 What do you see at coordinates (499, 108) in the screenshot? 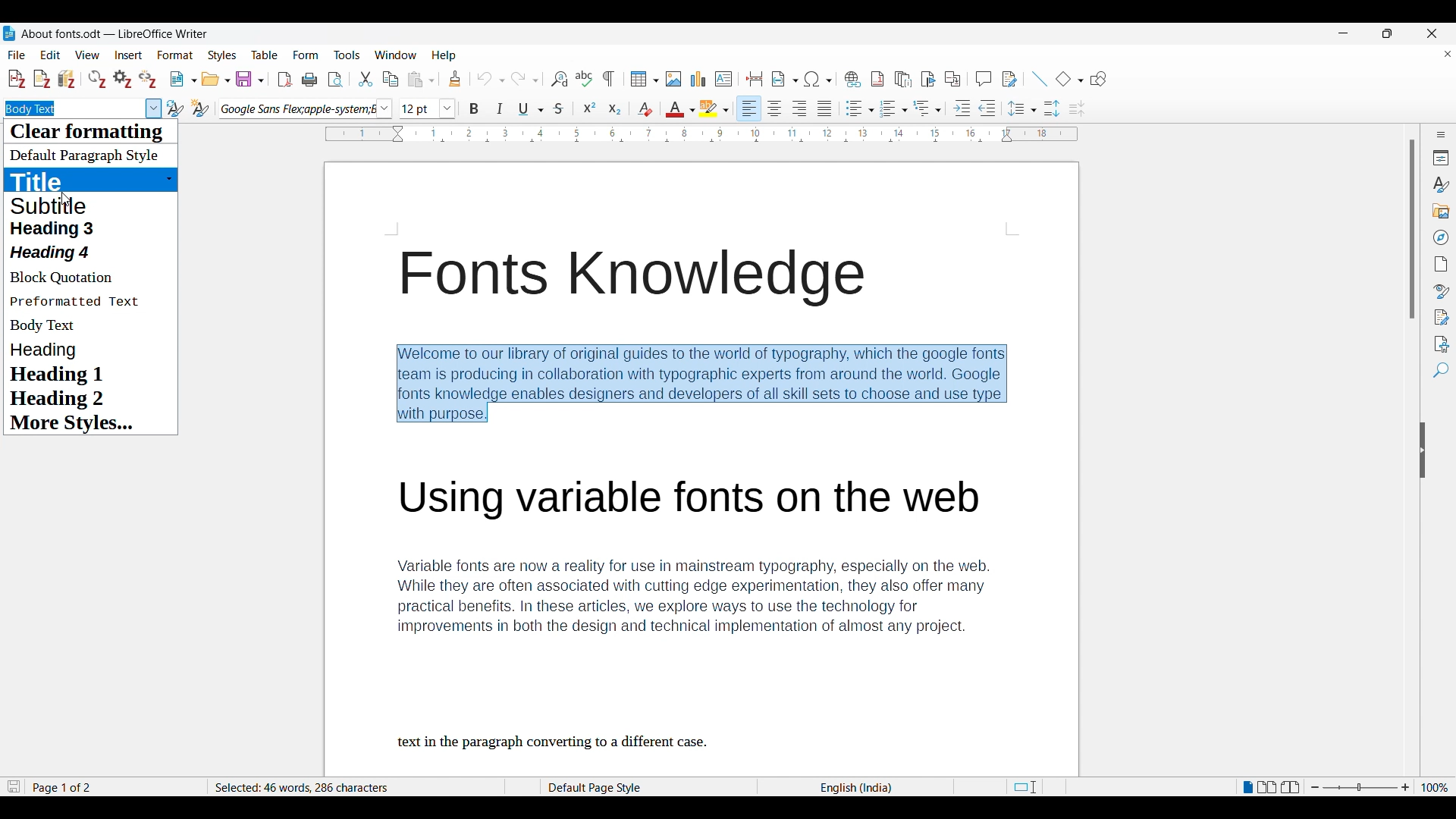
I see `Italics` at bounding box center [499, 108].